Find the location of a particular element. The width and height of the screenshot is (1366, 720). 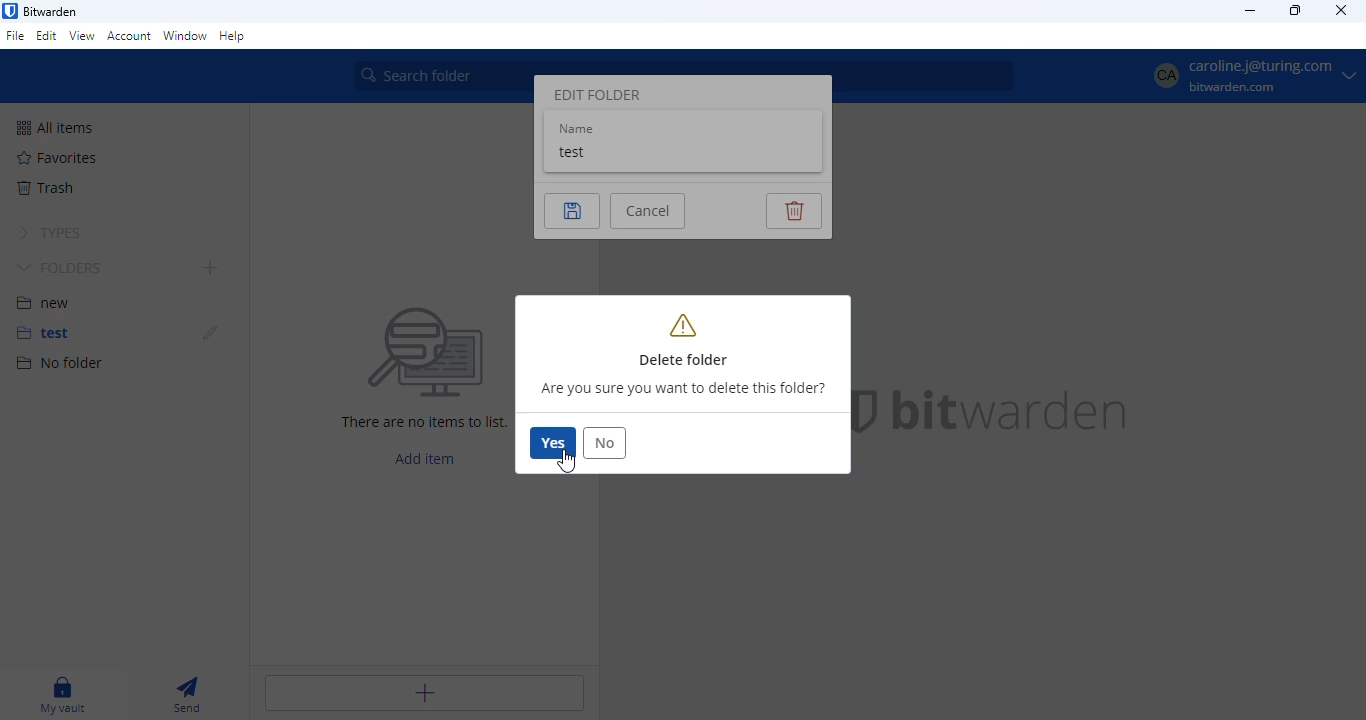

close is located at coordinates (1342, 10).